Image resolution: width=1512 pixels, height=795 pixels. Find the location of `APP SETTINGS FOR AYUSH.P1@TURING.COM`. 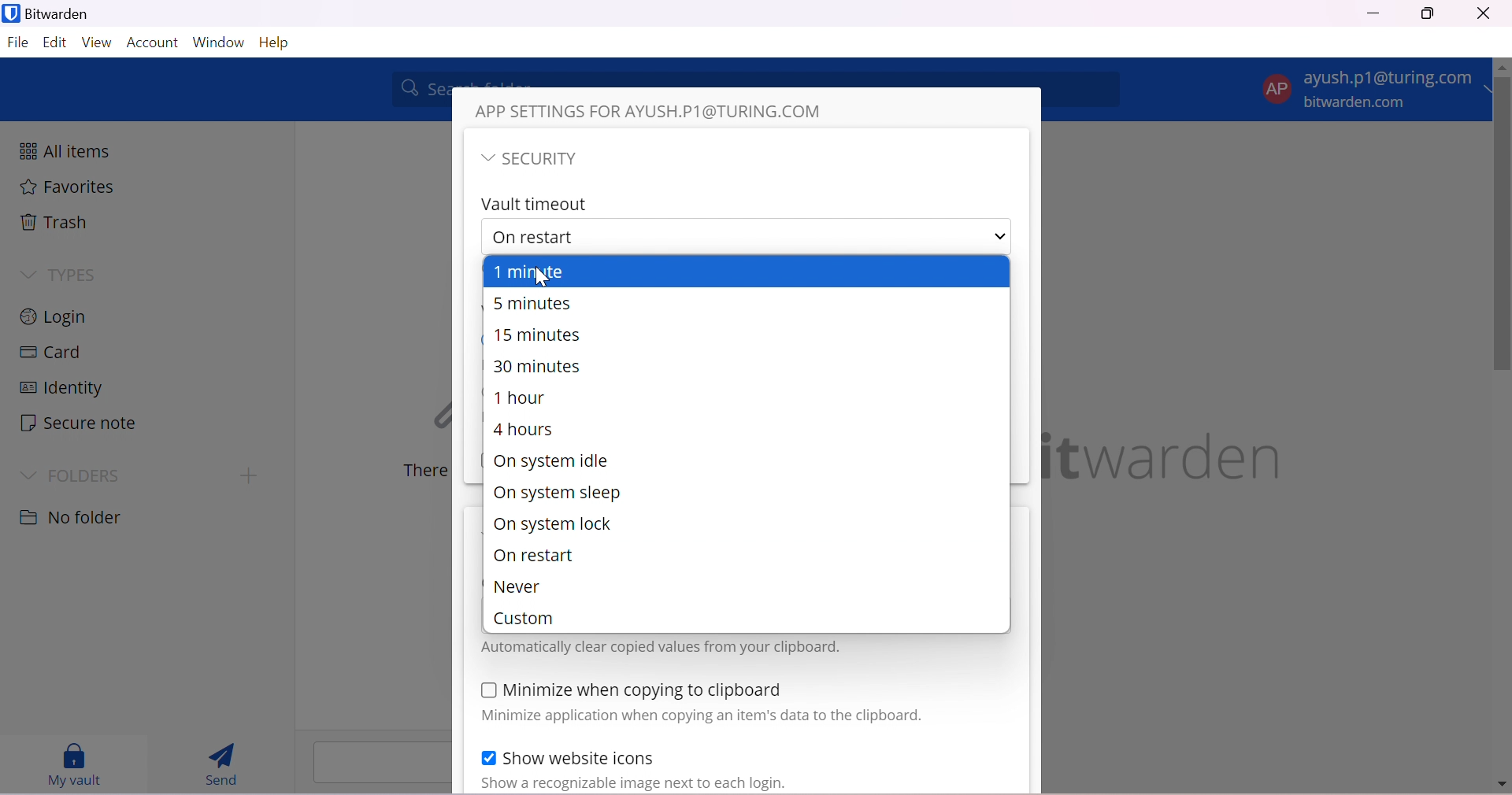

APP SETTINGS FOR AYUSH.P1@TURING.COM is located at coordinates (658, 109).